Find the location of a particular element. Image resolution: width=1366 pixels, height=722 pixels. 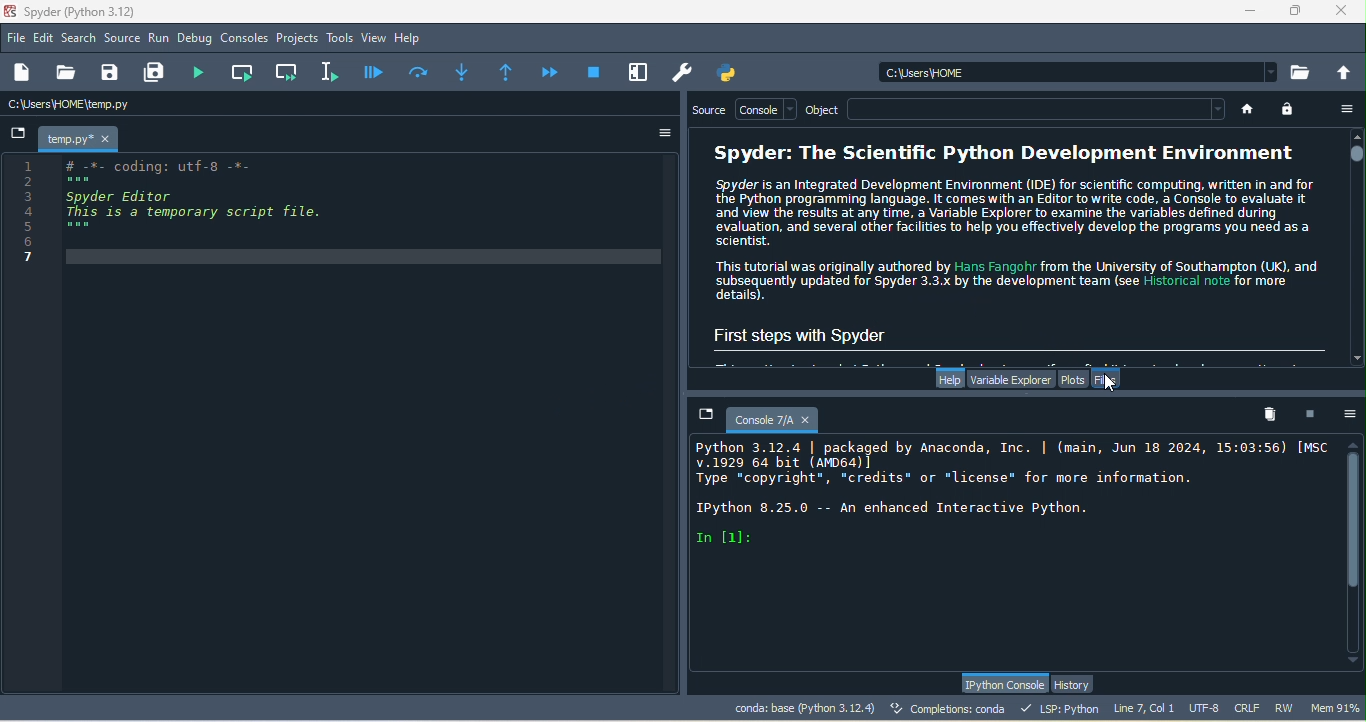

method is located at coordinates (462, 70).